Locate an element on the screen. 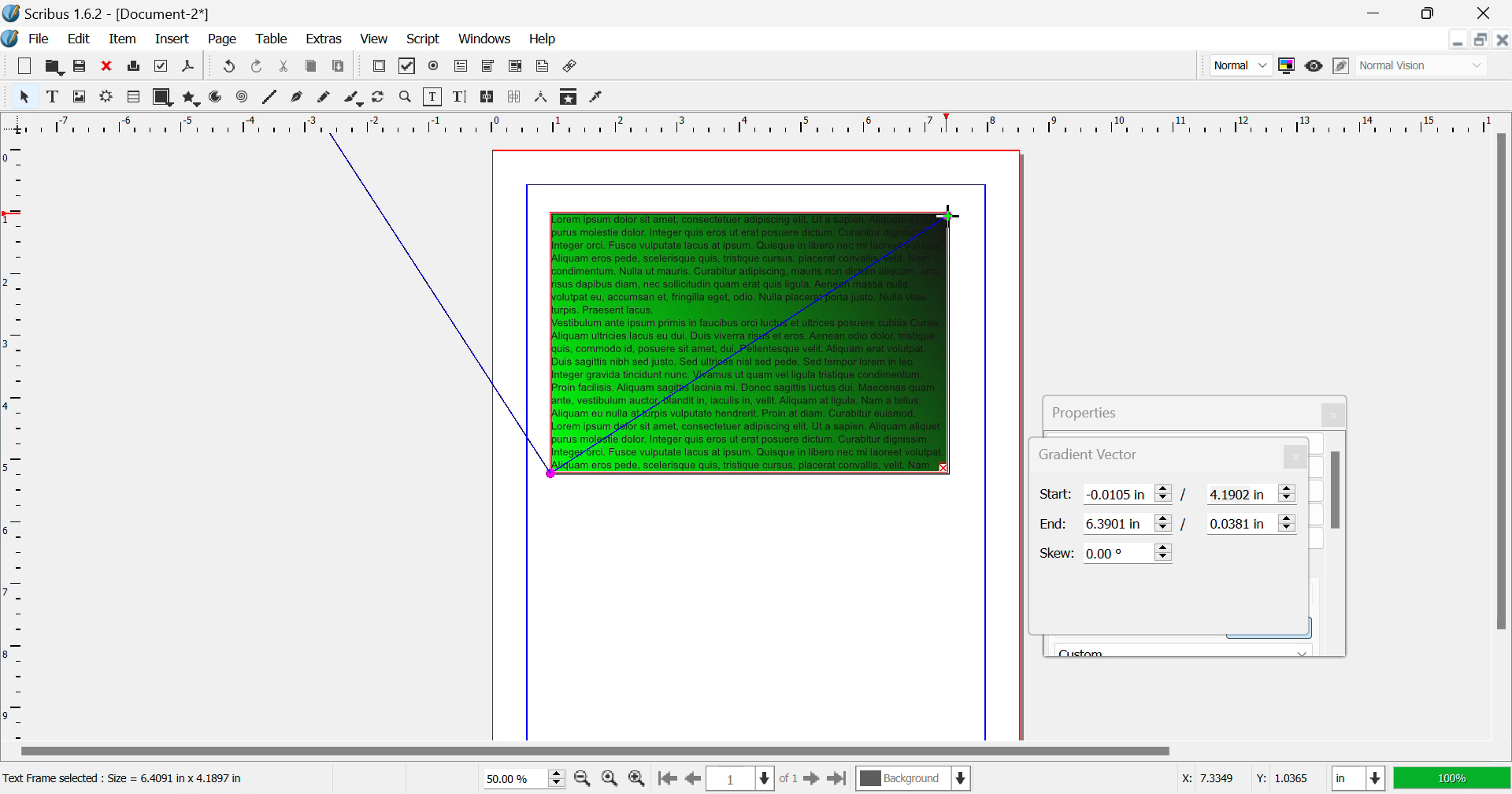  Scroll Bar is located at coordinates (1336, 544).